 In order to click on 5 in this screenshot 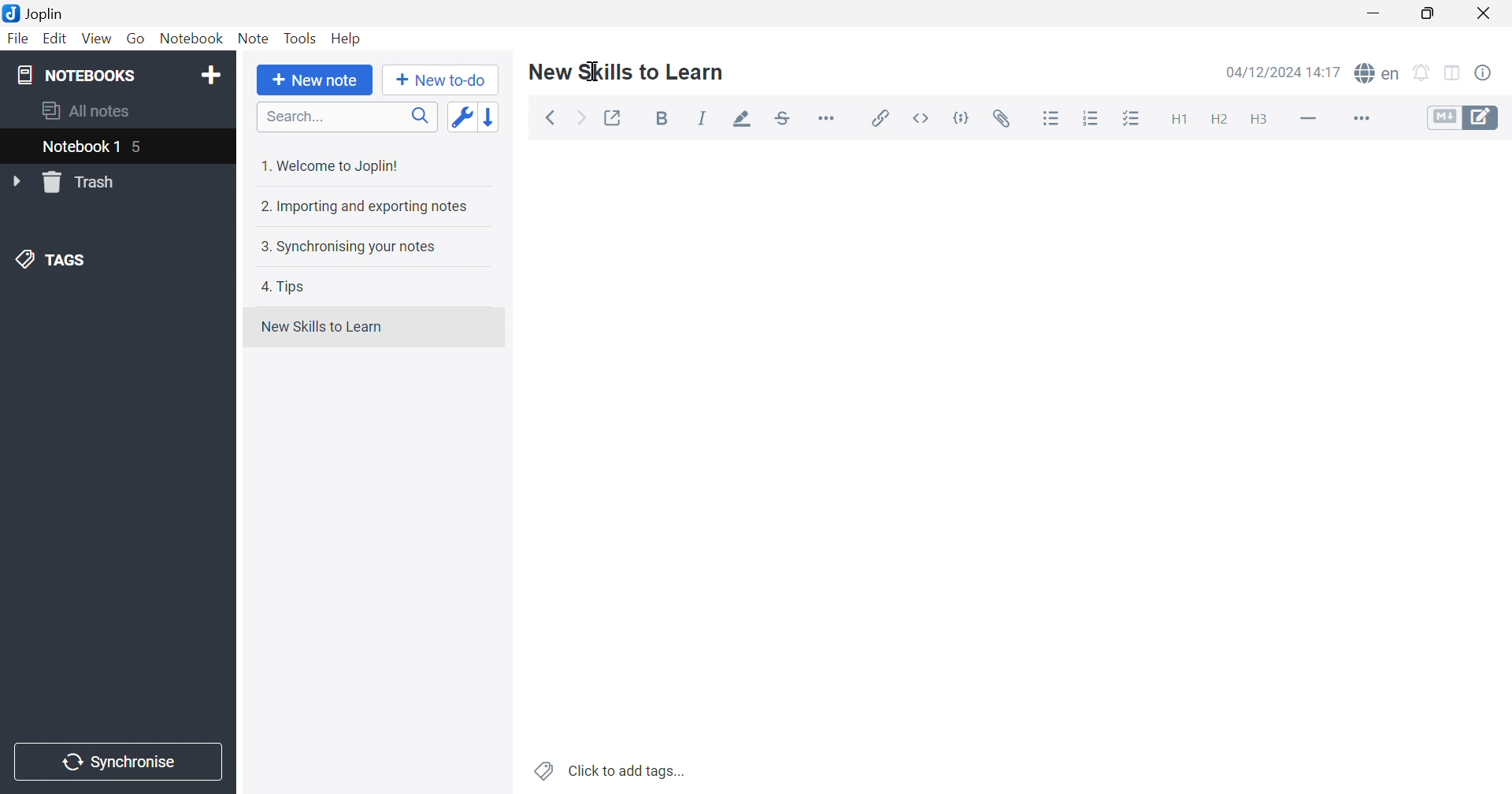, I will do `click(139, 149)`.